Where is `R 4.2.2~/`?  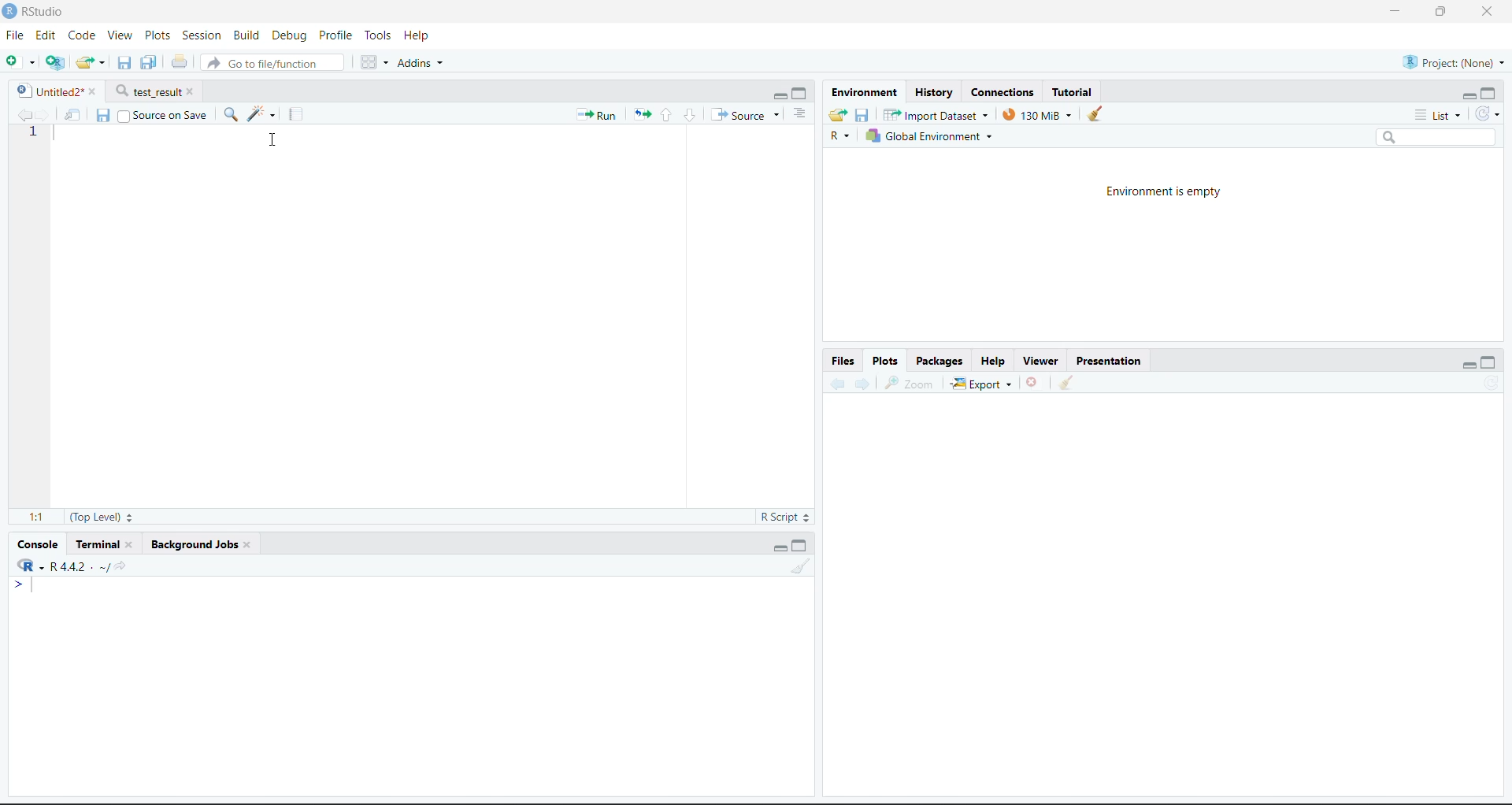
R 4.2.2~/ is located at coordinates (78, 566).